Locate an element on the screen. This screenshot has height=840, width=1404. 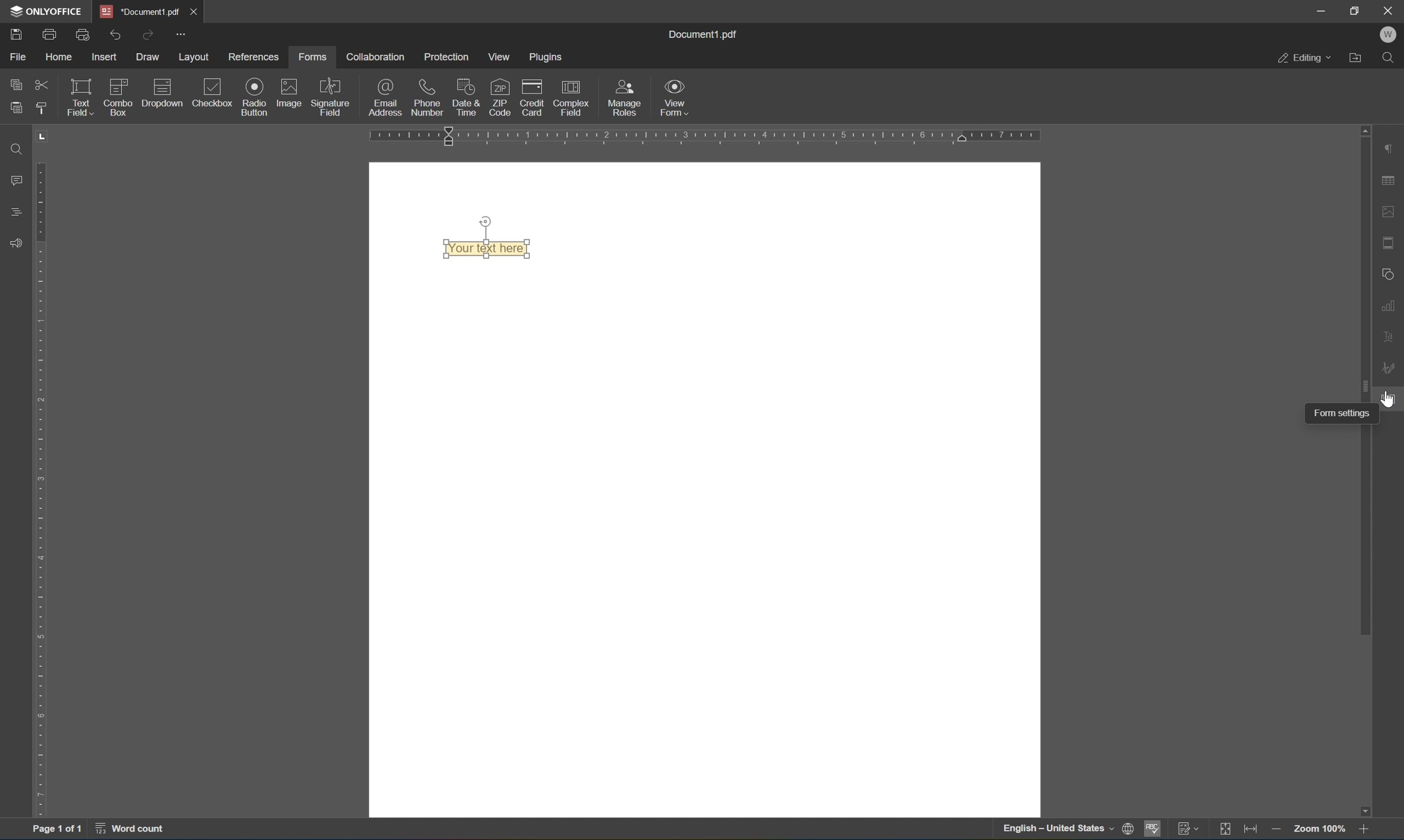
text art settings is located at coordinates (1390, 335).